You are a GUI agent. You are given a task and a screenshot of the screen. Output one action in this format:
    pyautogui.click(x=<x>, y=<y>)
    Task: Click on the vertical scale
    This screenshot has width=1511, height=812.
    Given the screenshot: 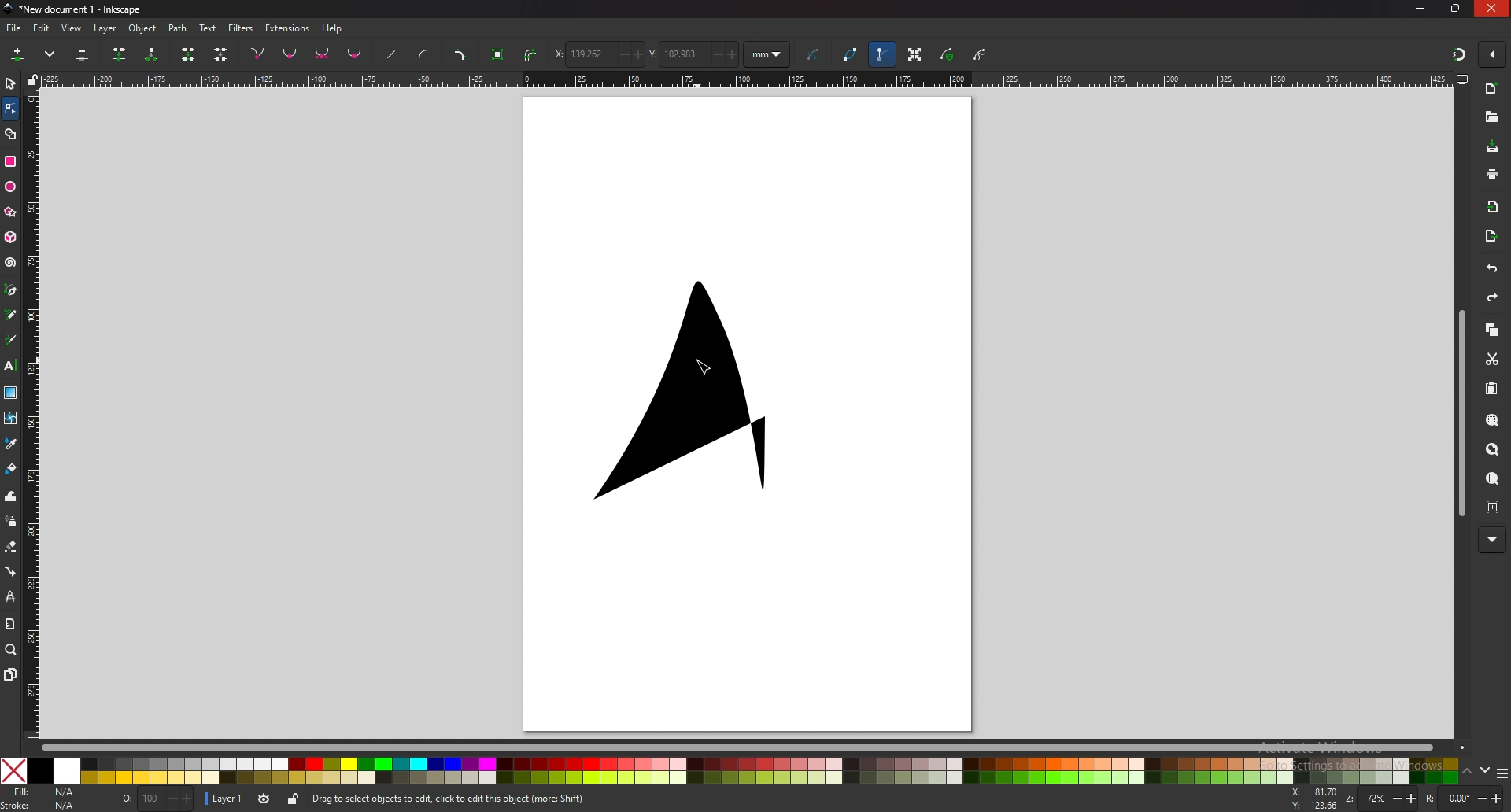 What is the action you would take?
    pyautogui.click(x=34, y=414)
    